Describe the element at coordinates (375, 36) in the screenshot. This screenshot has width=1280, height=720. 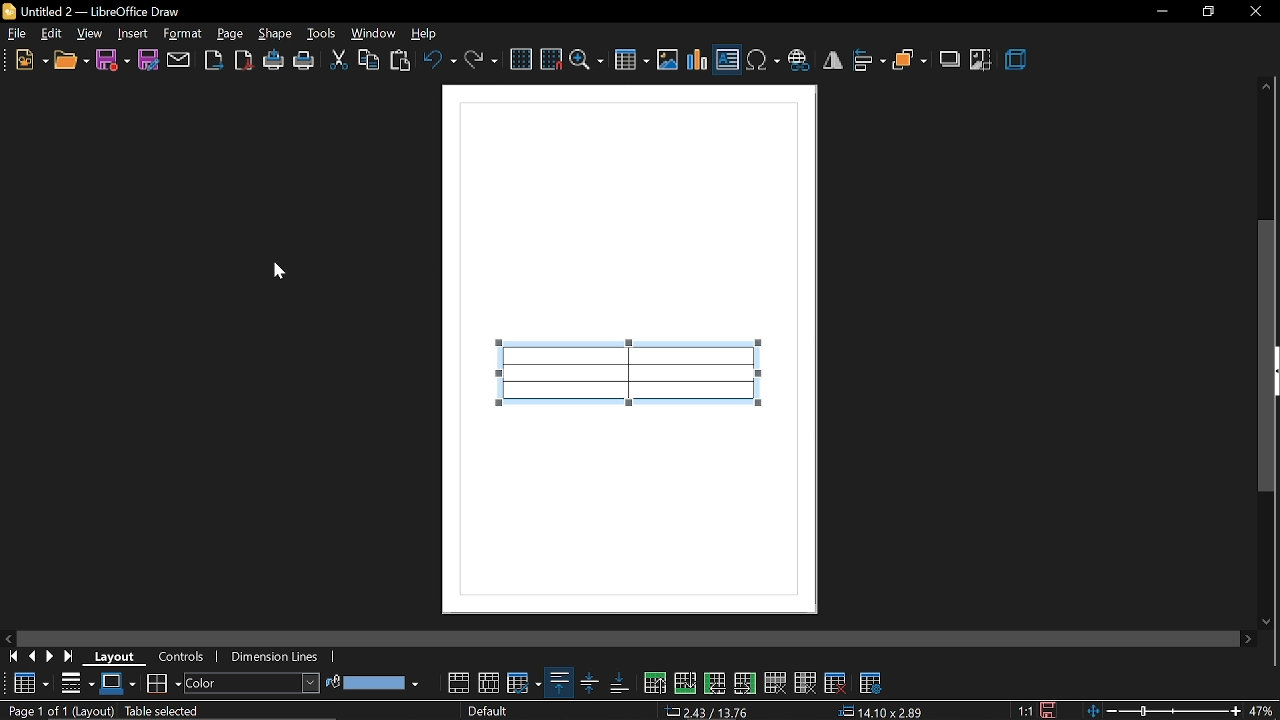
I see `window` at that location.